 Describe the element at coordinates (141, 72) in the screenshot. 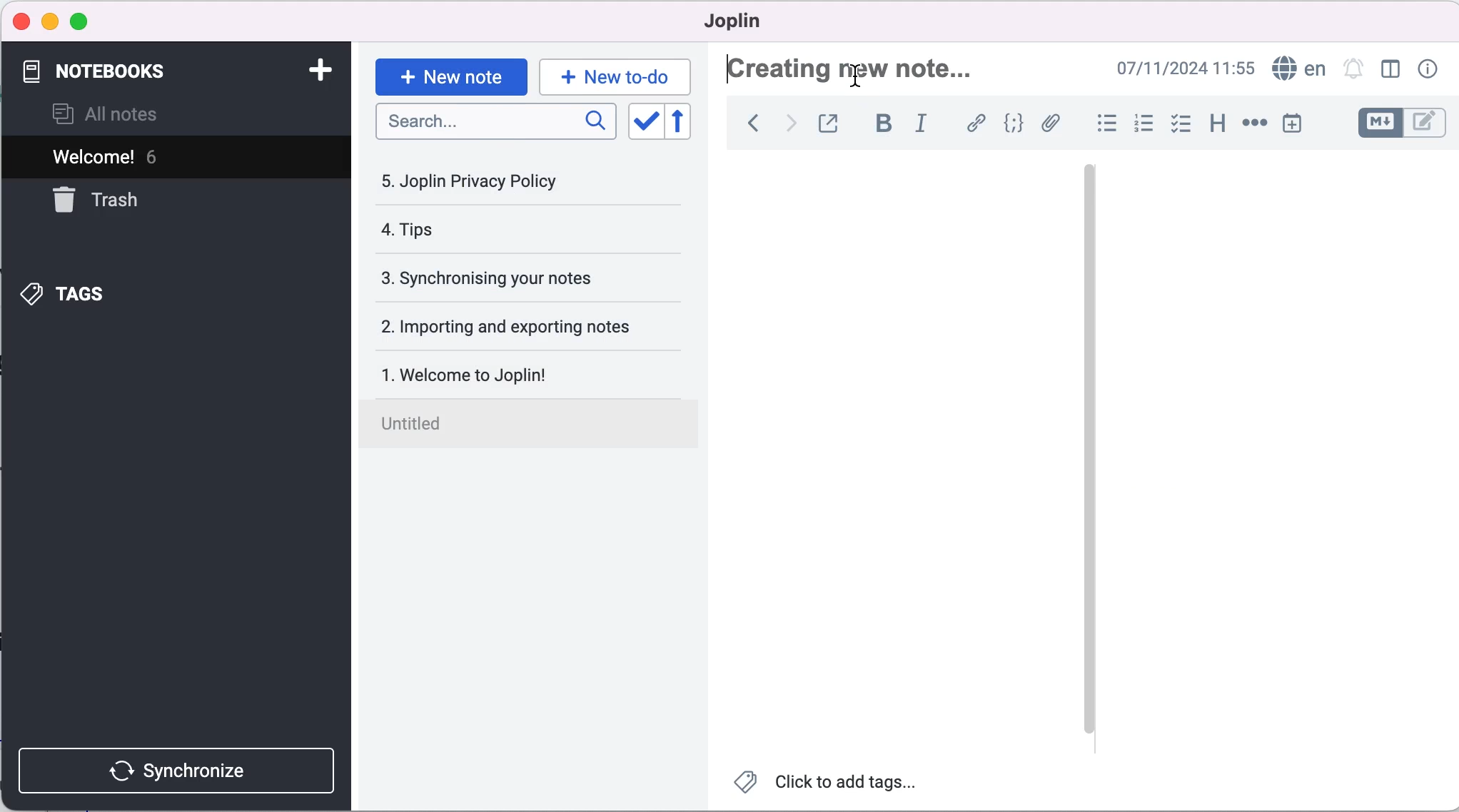

I see `notebooks` at that location.